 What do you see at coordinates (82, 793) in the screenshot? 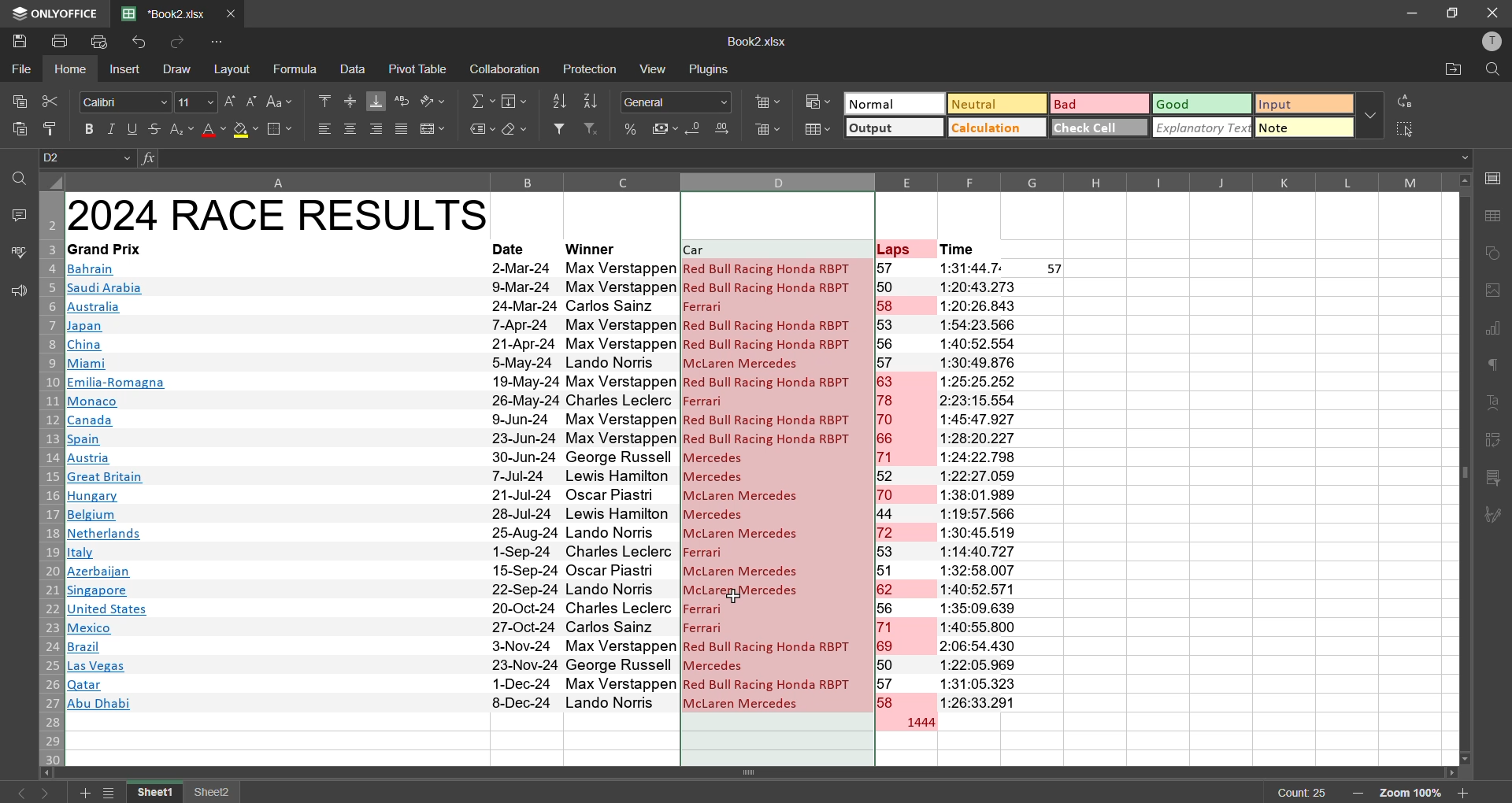
I see `add new worksheet` at bounding box center [82, 793].